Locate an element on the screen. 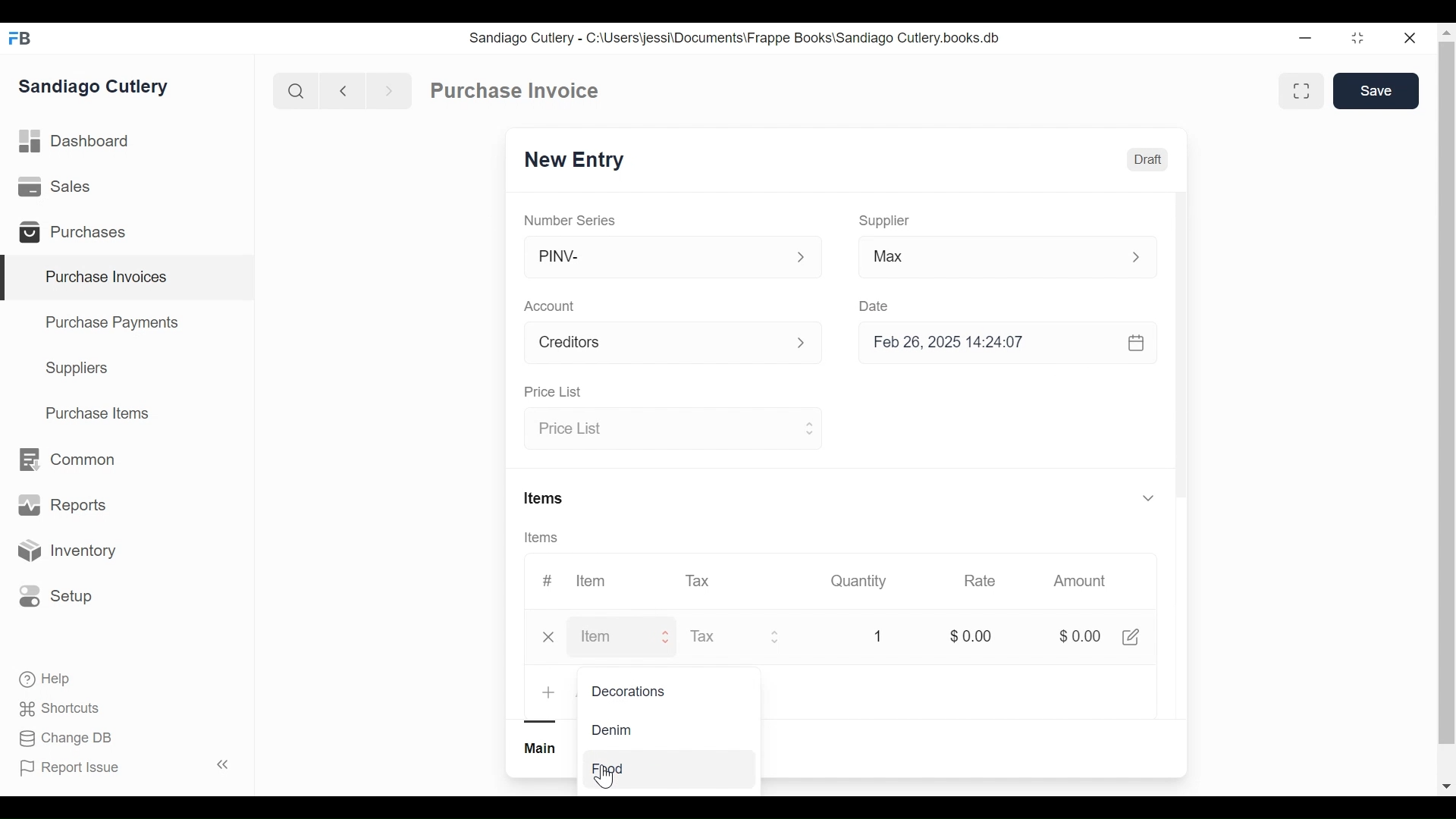 Image resolution: width=1456 pixels, height=819 pixels. New Entry is located at coordinates (576, 158).